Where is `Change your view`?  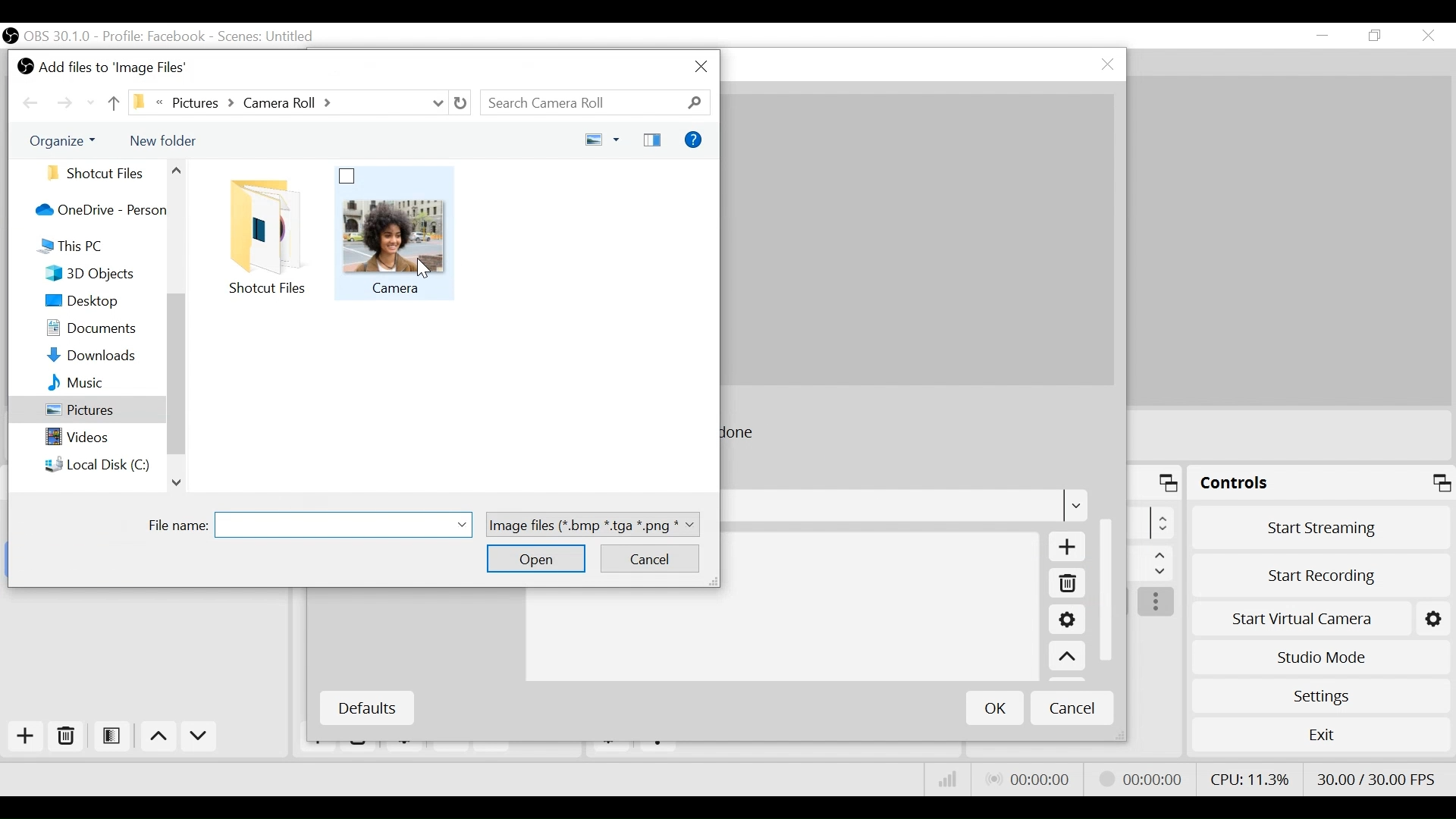 Change your view is located at coordinates (603, 138).